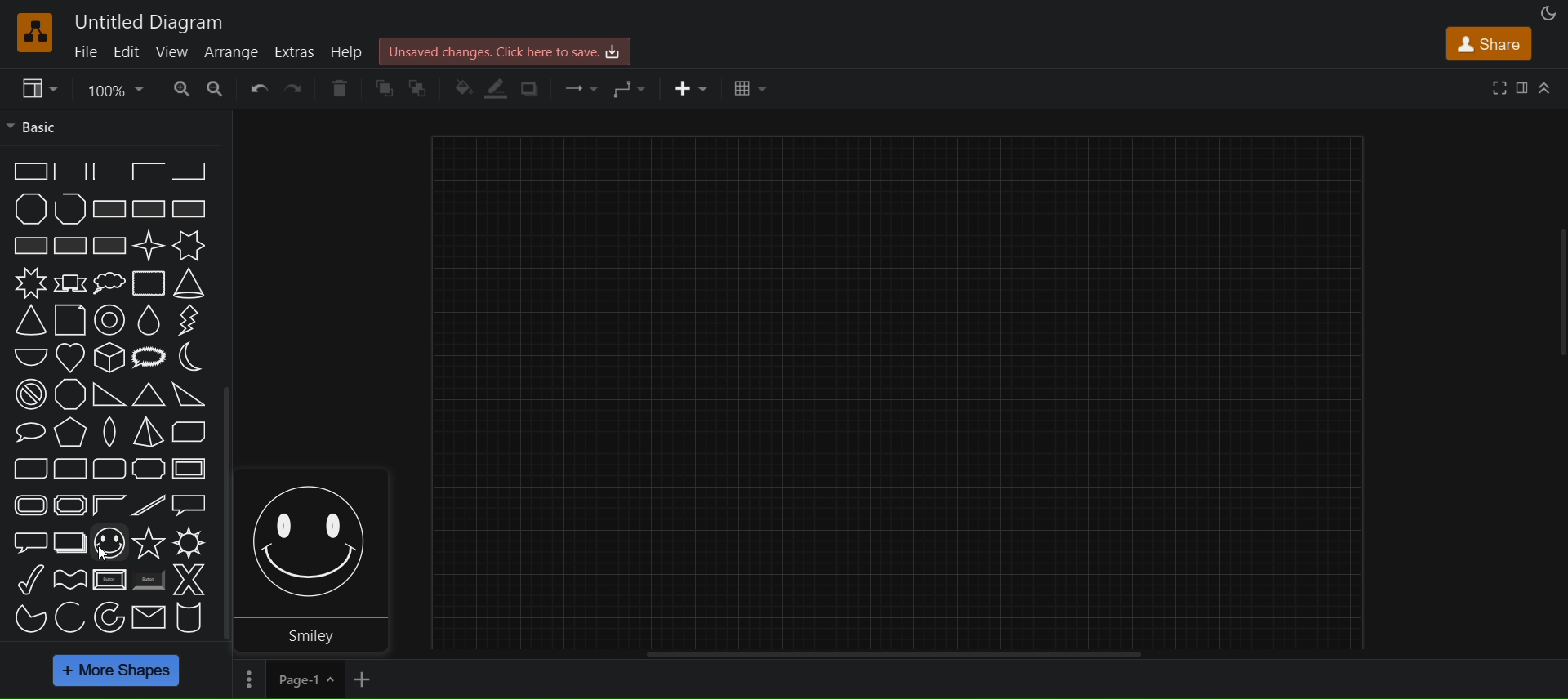 The height and width of the screenshot is (699, 1568). What do you see at coordinates (581, 86) in the screenshot?
I see `connection` at bounding box center [581, 86].